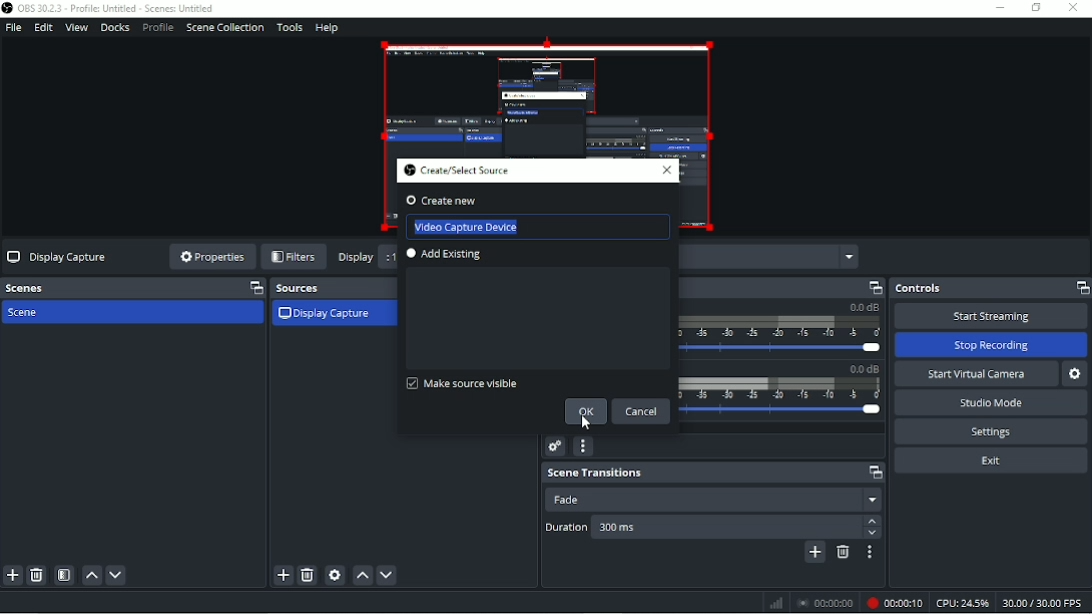  I want to click on Add existing, so click(448, 256).